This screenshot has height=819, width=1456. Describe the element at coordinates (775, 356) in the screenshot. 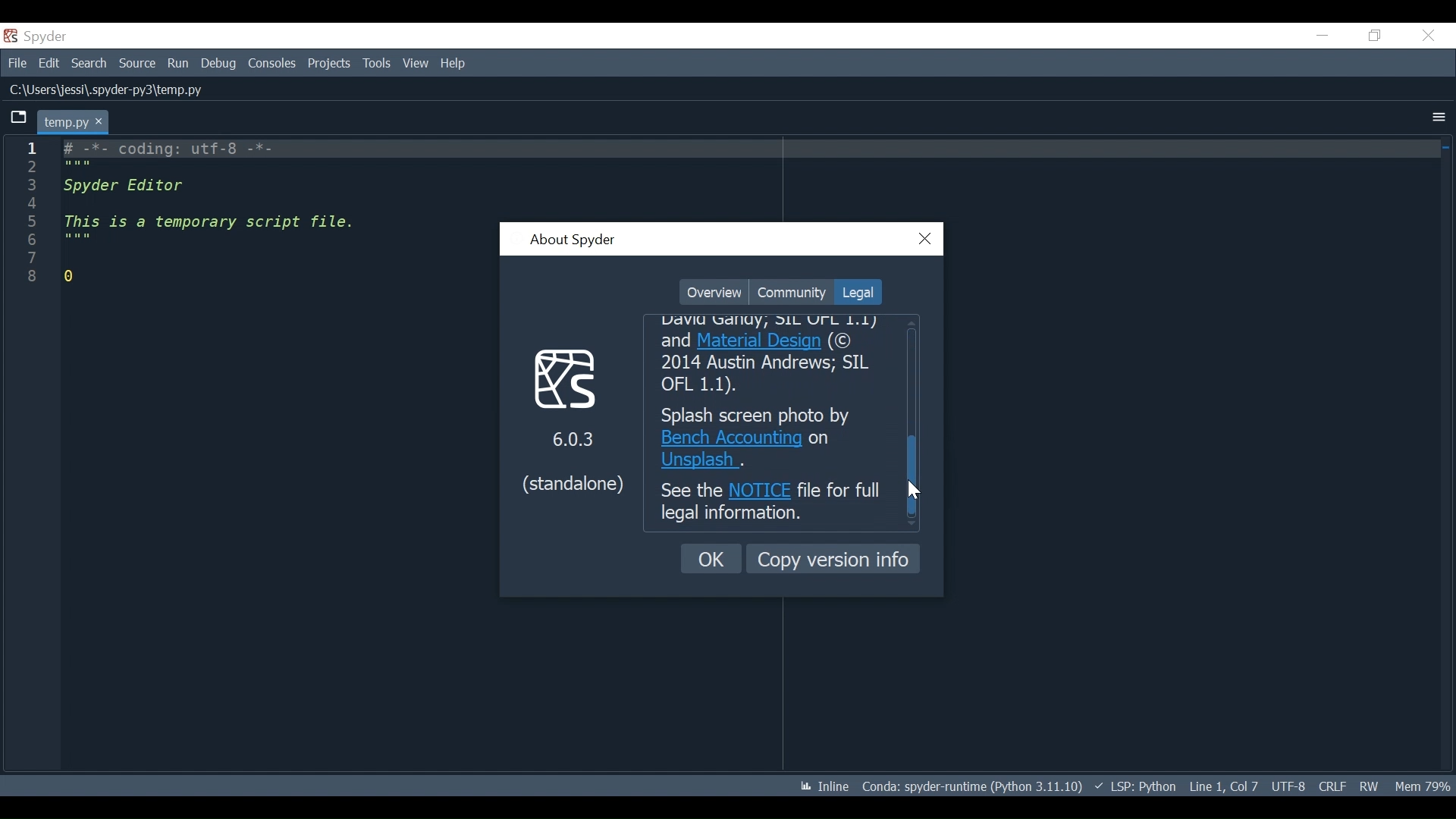

I see `David Gandy; SIL OFL 1.1) and Material Design (© 2014 Austin Andrews; SIL OFL 1.1).` at that location.